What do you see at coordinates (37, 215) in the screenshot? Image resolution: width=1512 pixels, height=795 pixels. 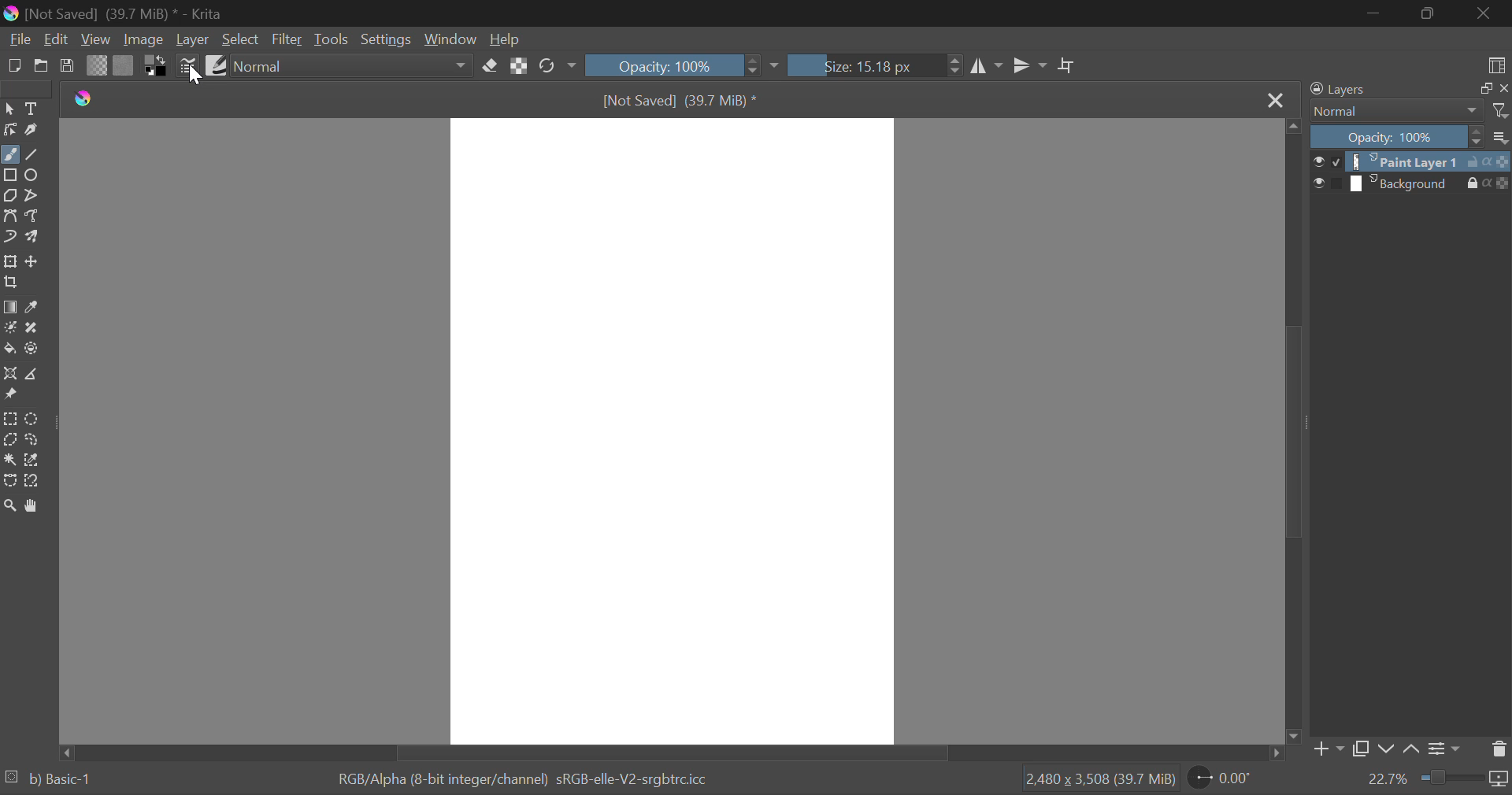 I see `Freehand Path Tools` at bounding box center [37, 215].